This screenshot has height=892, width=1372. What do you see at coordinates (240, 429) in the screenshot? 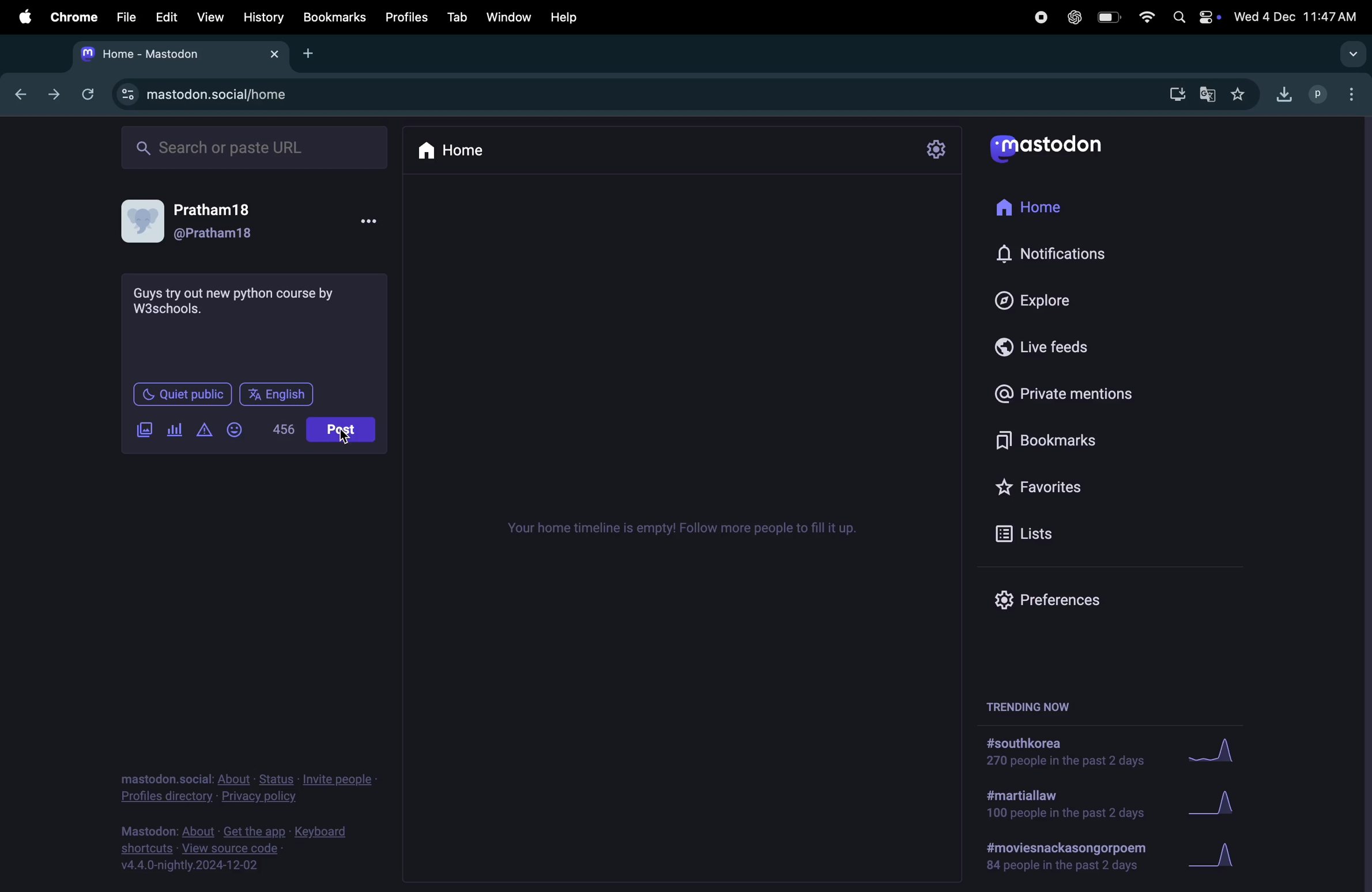
I see `emoji` at bounding box center [240, 429].